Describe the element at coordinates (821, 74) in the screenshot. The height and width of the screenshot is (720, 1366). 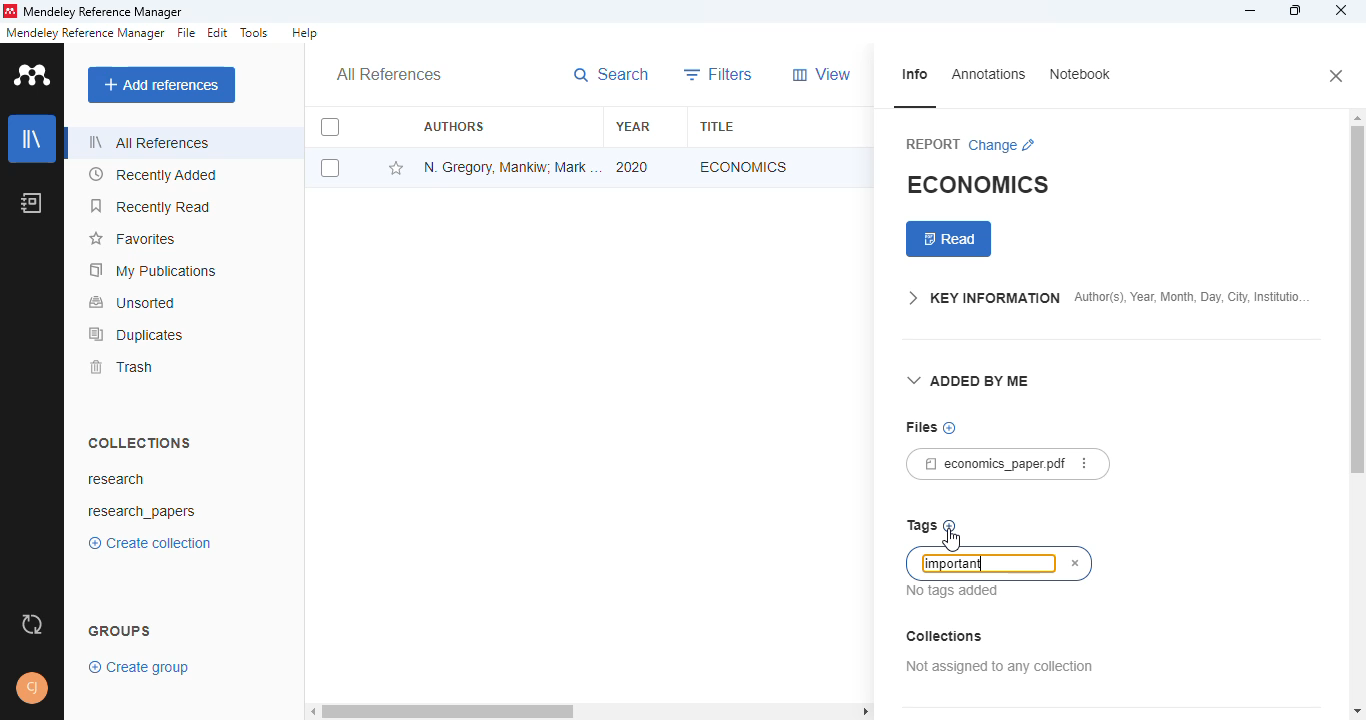
I see `view` at that location.